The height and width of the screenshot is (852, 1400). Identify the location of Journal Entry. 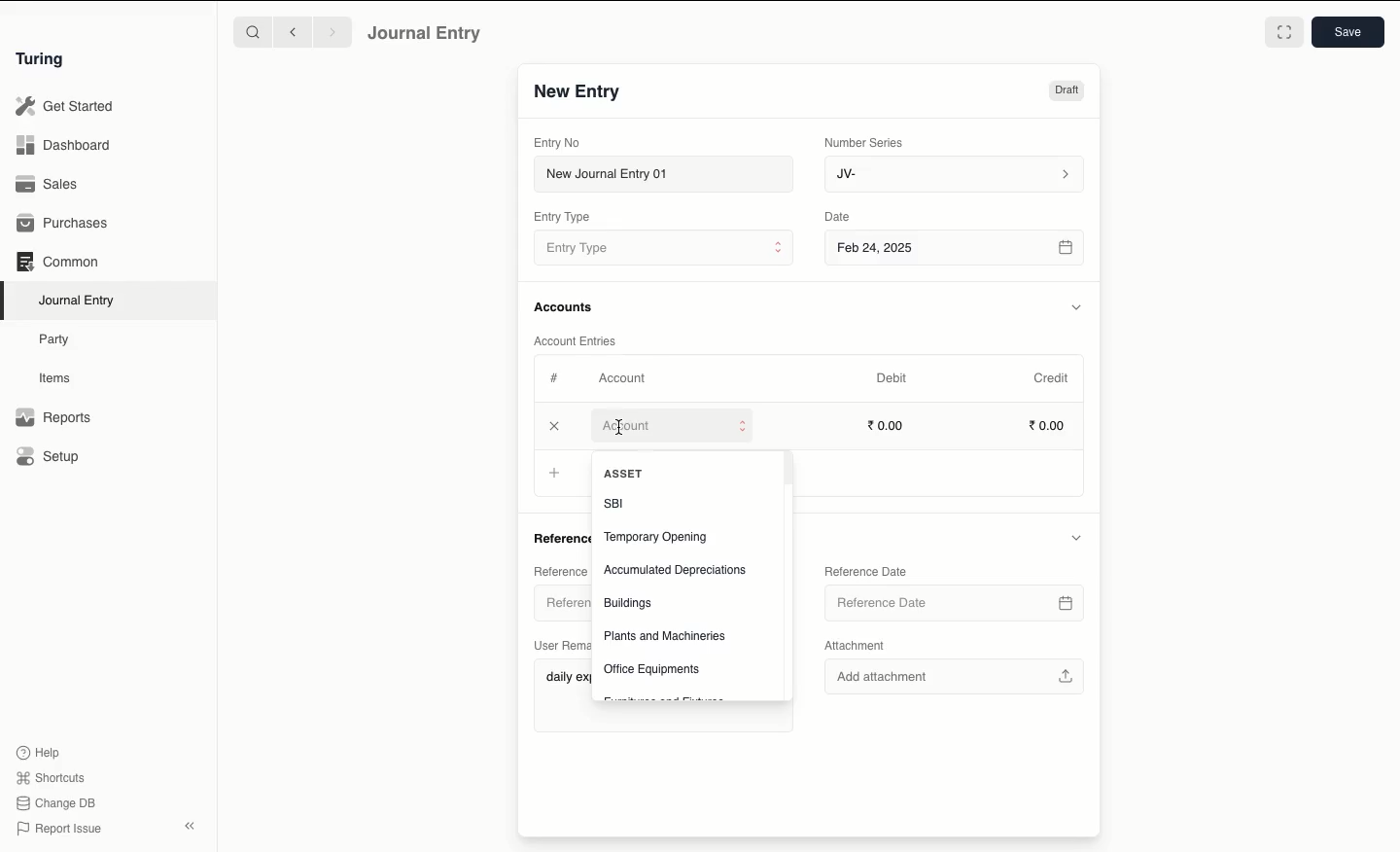
(426, 34).